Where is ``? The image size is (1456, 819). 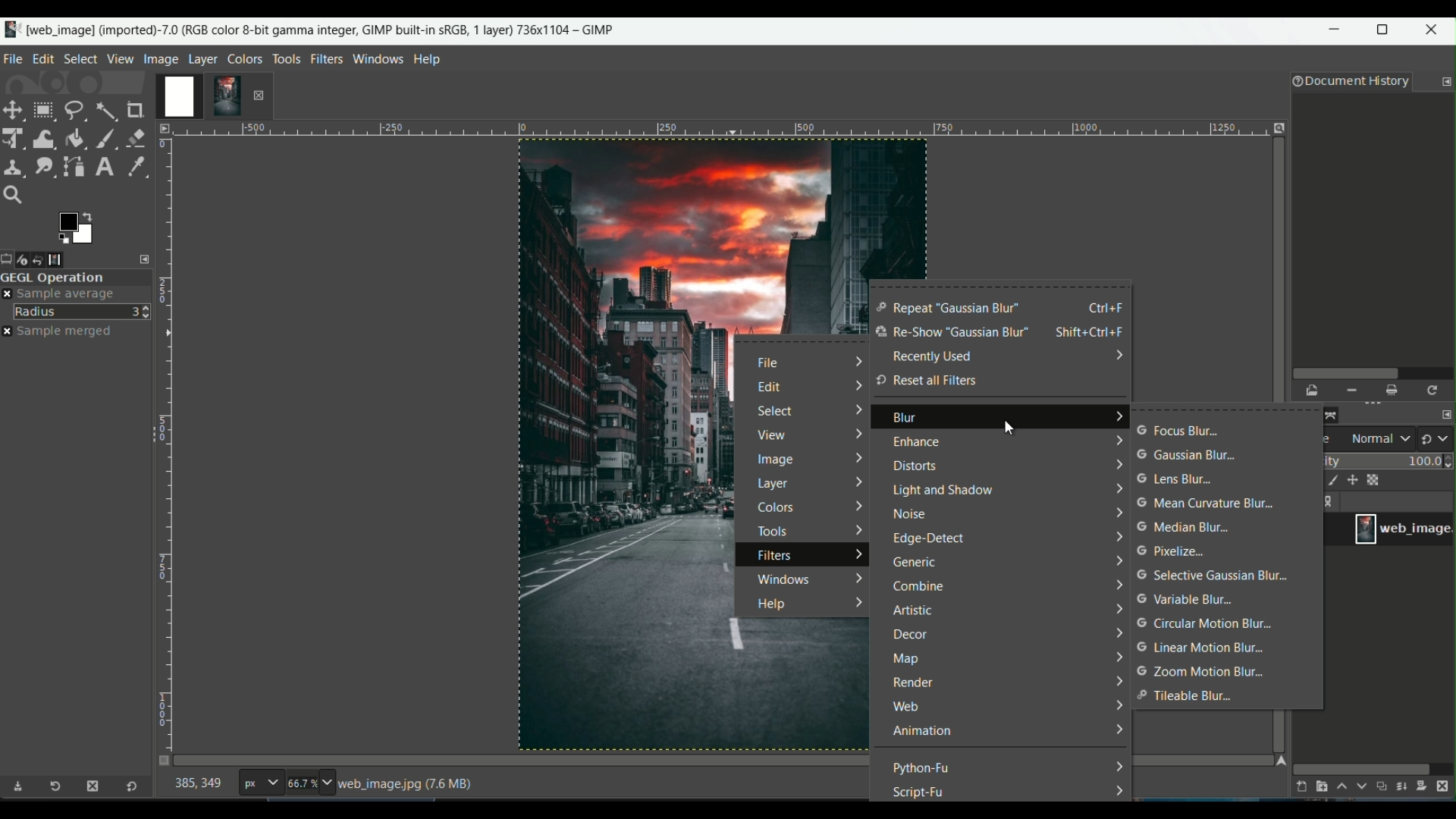
 is located at coordinates (907, 661).